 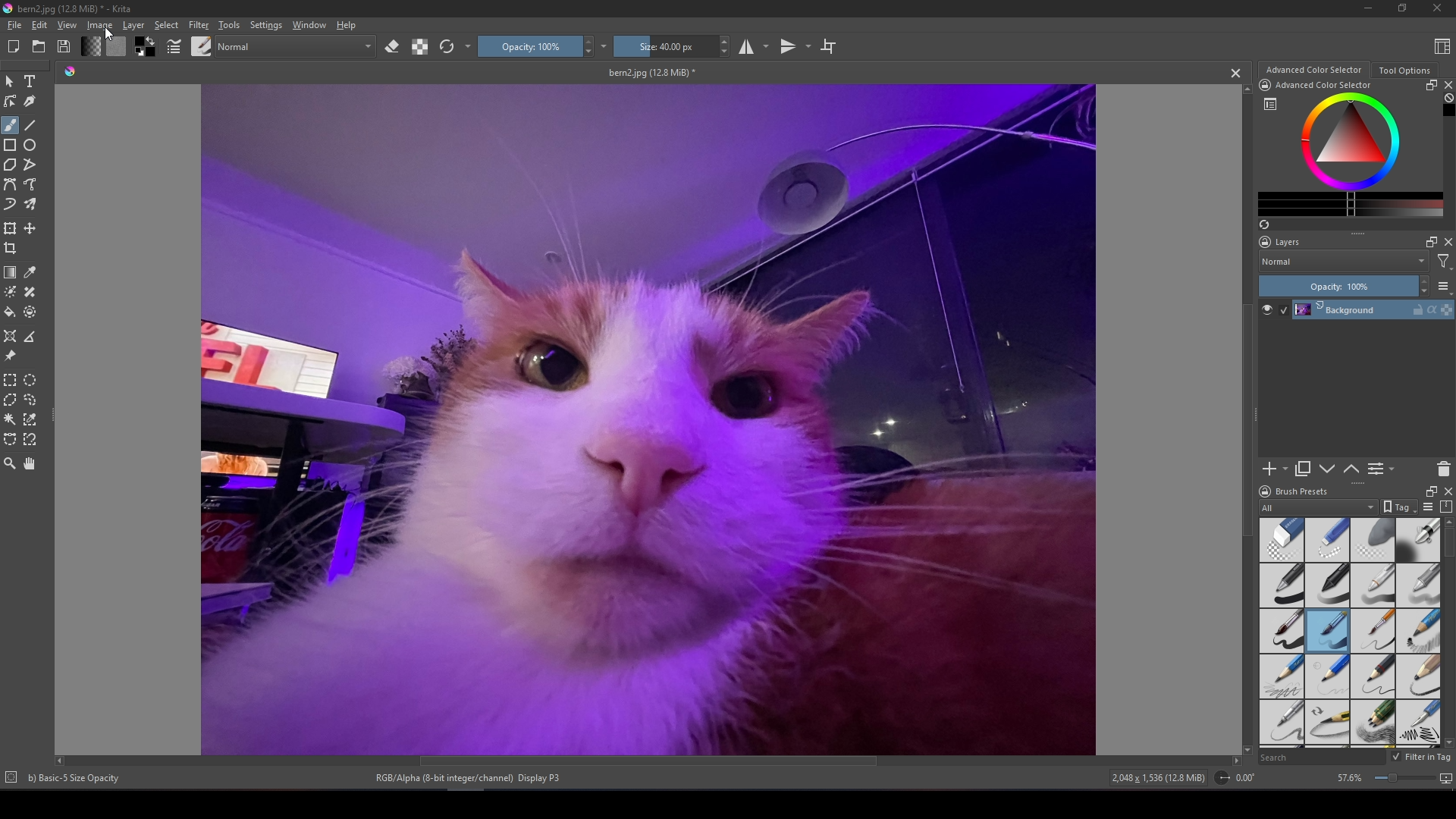 I want to click on , so click(x=175, y=46).